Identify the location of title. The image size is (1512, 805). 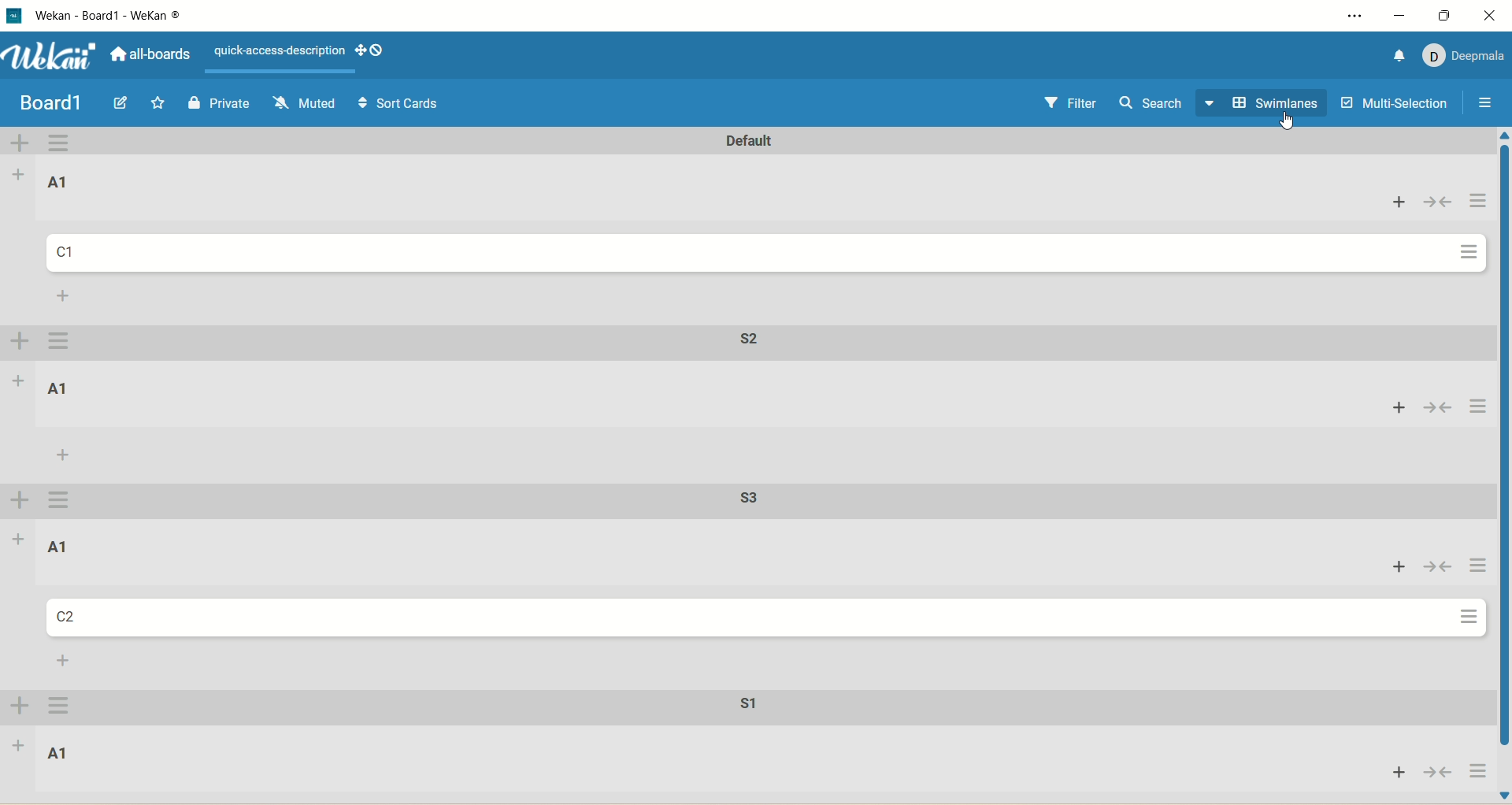
(129, 15).